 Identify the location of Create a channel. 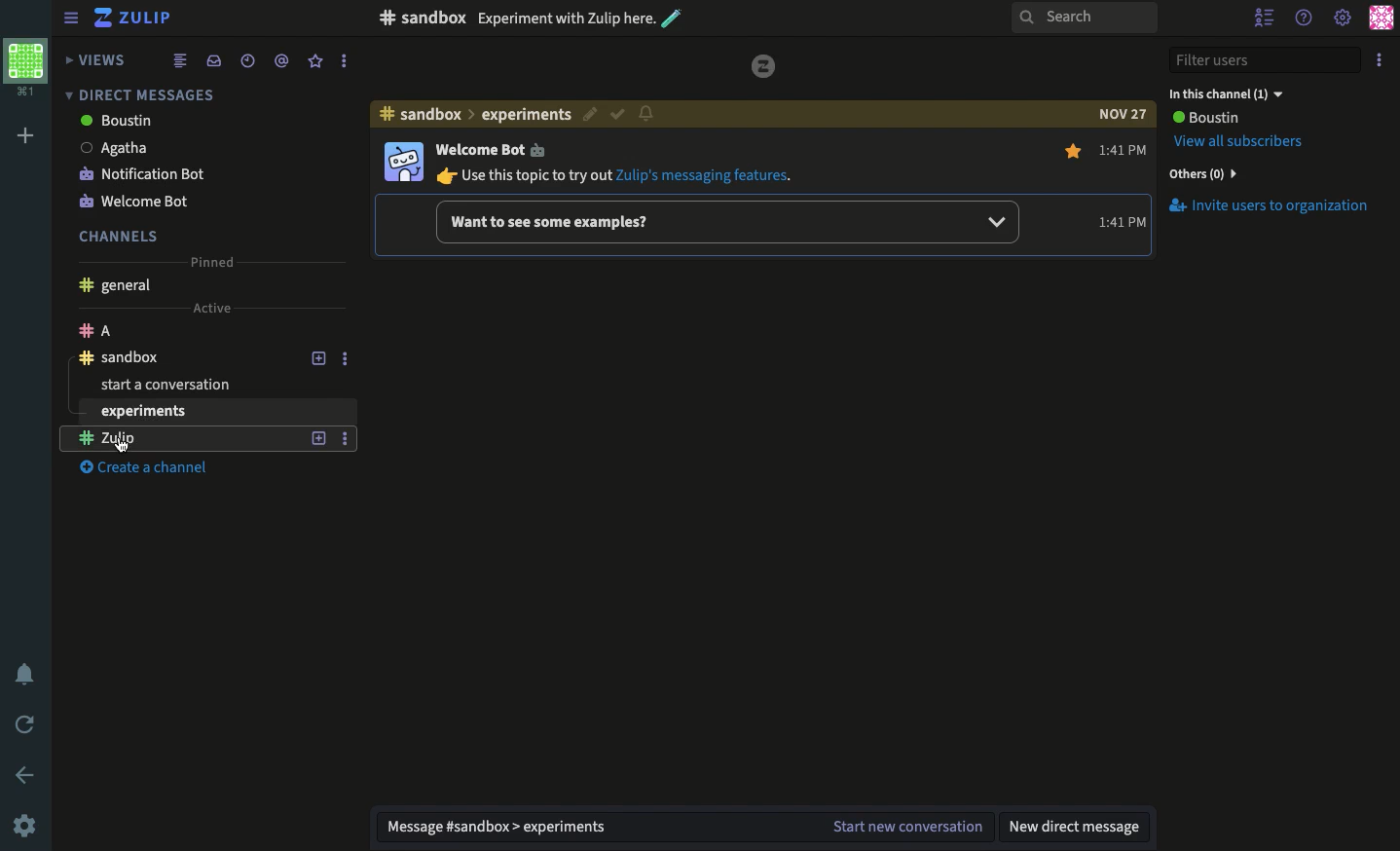
(154, 469).